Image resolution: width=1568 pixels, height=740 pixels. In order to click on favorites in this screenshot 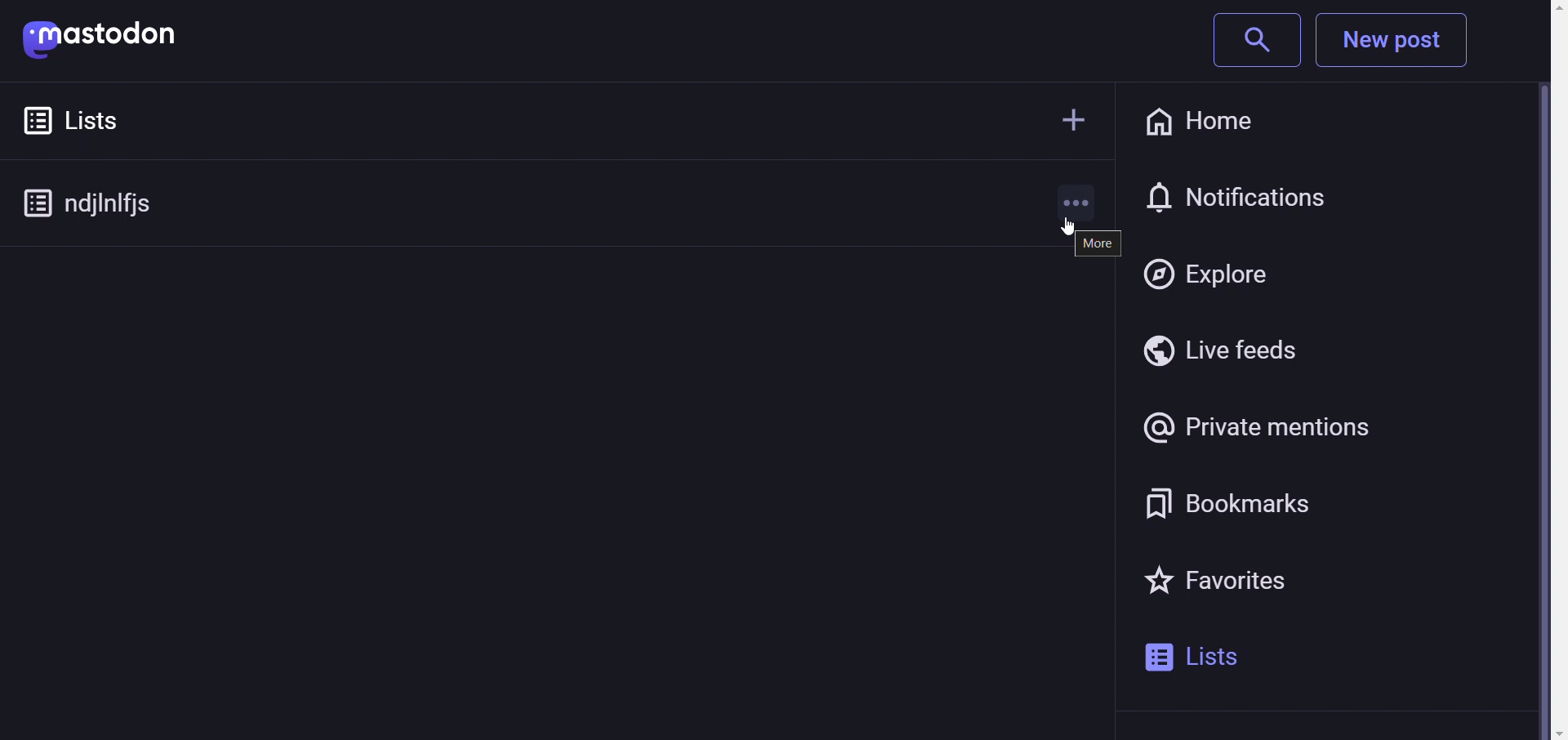, I will do `click(1214, 585)`.